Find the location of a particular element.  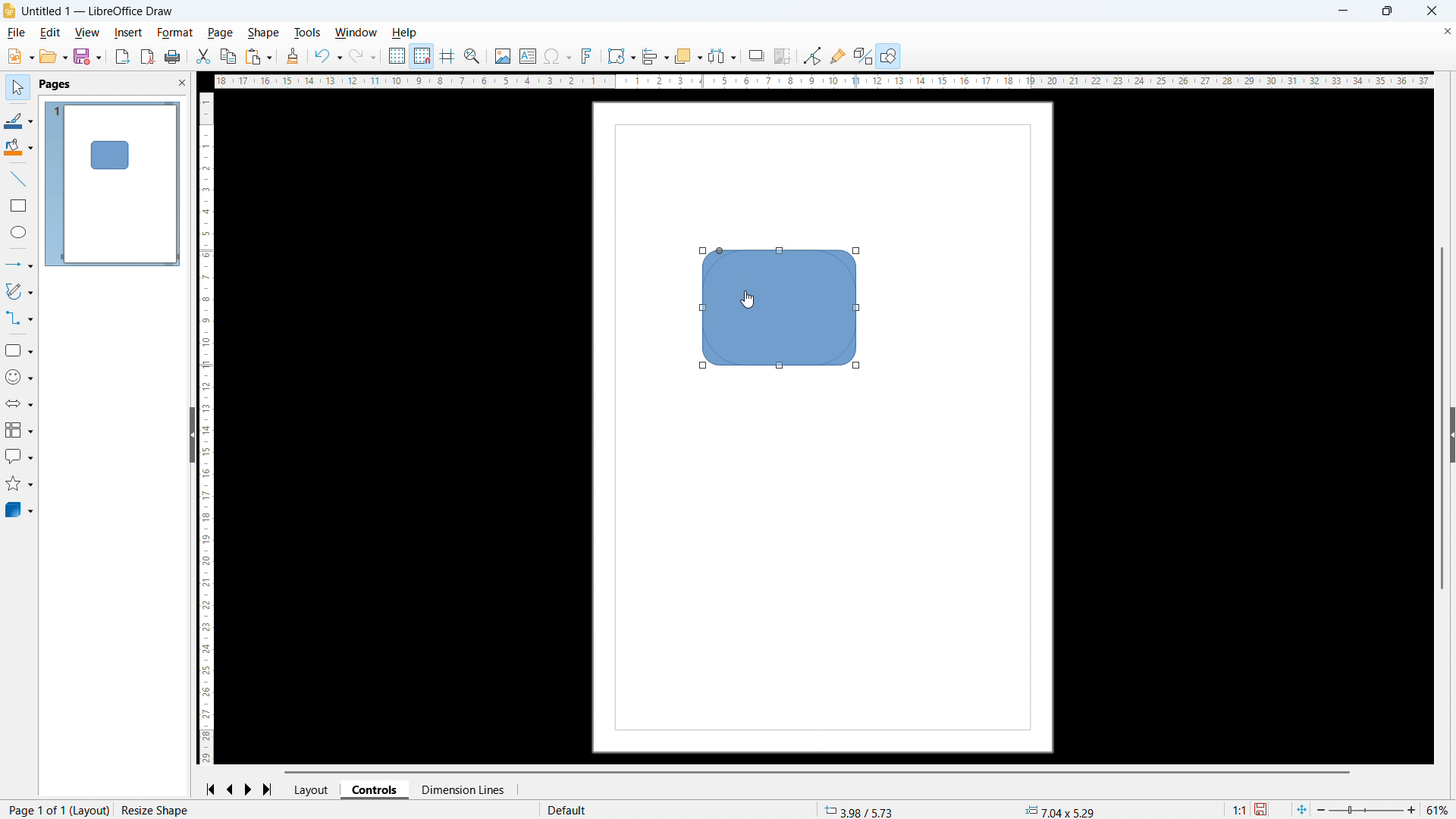

Snap to grid  is located at coordinates (422, 57).